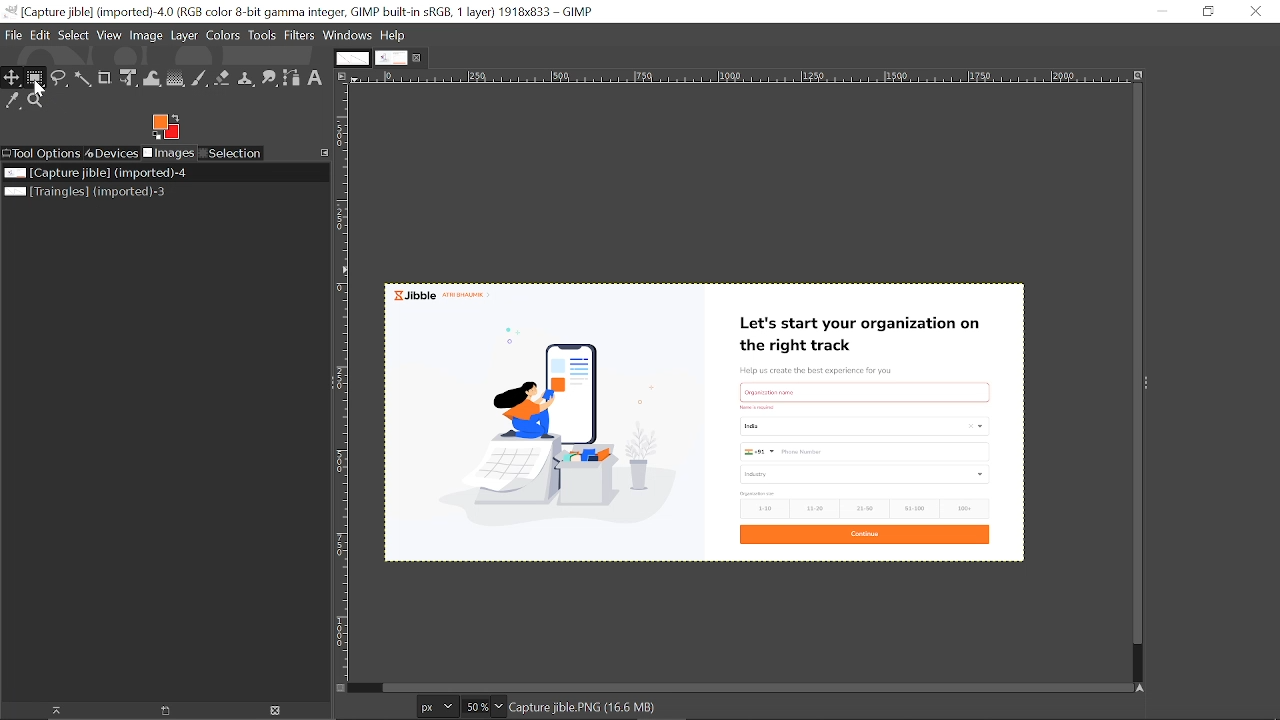 This screenshot has width=1280, height=720. Describe the element at coordinates (328, 386) in the screenshot. I see `Sidebar menu` at that location.